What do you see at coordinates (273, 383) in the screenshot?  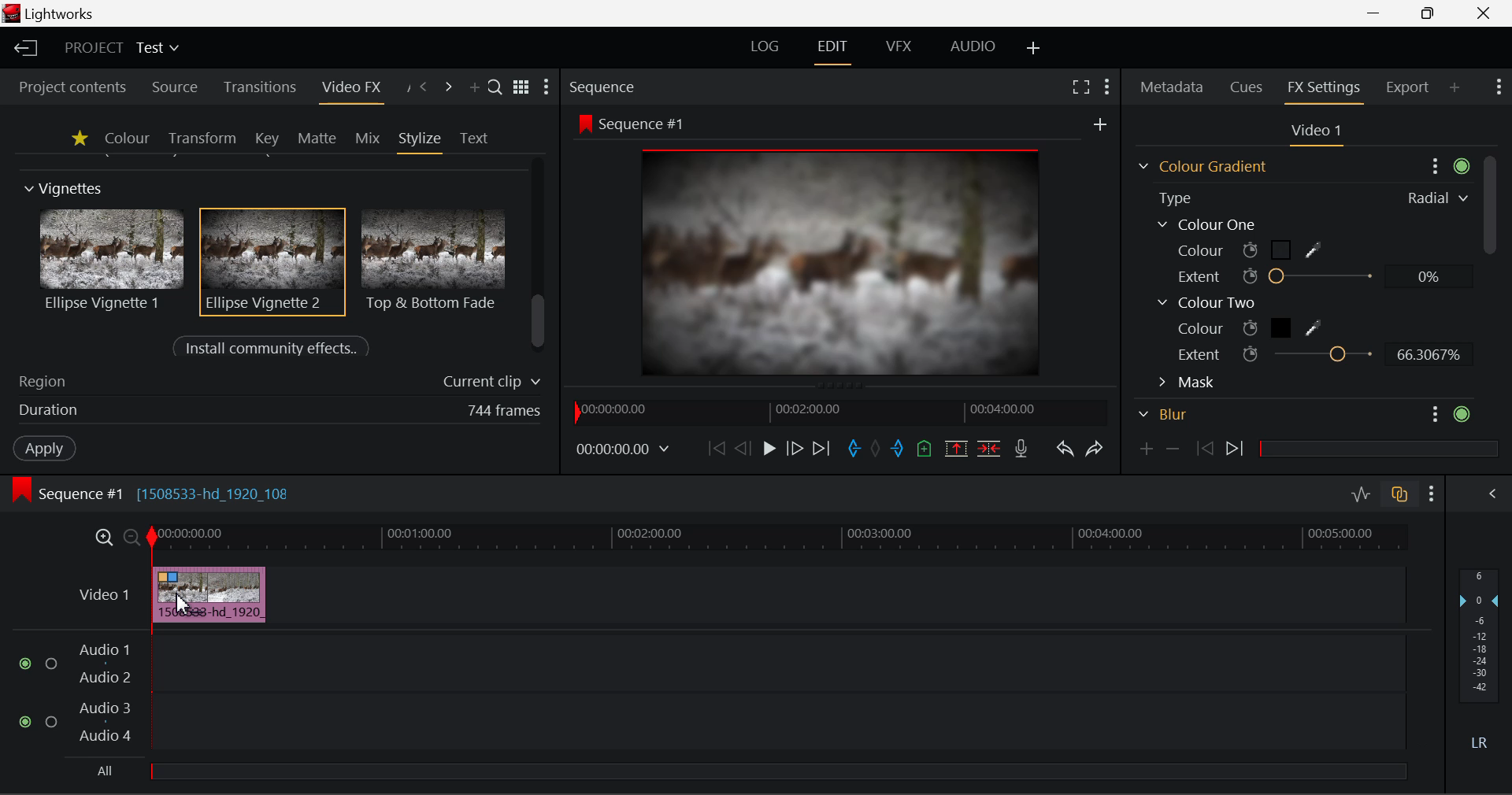 I see `Region of Effect` at bounding box center [273, 383].